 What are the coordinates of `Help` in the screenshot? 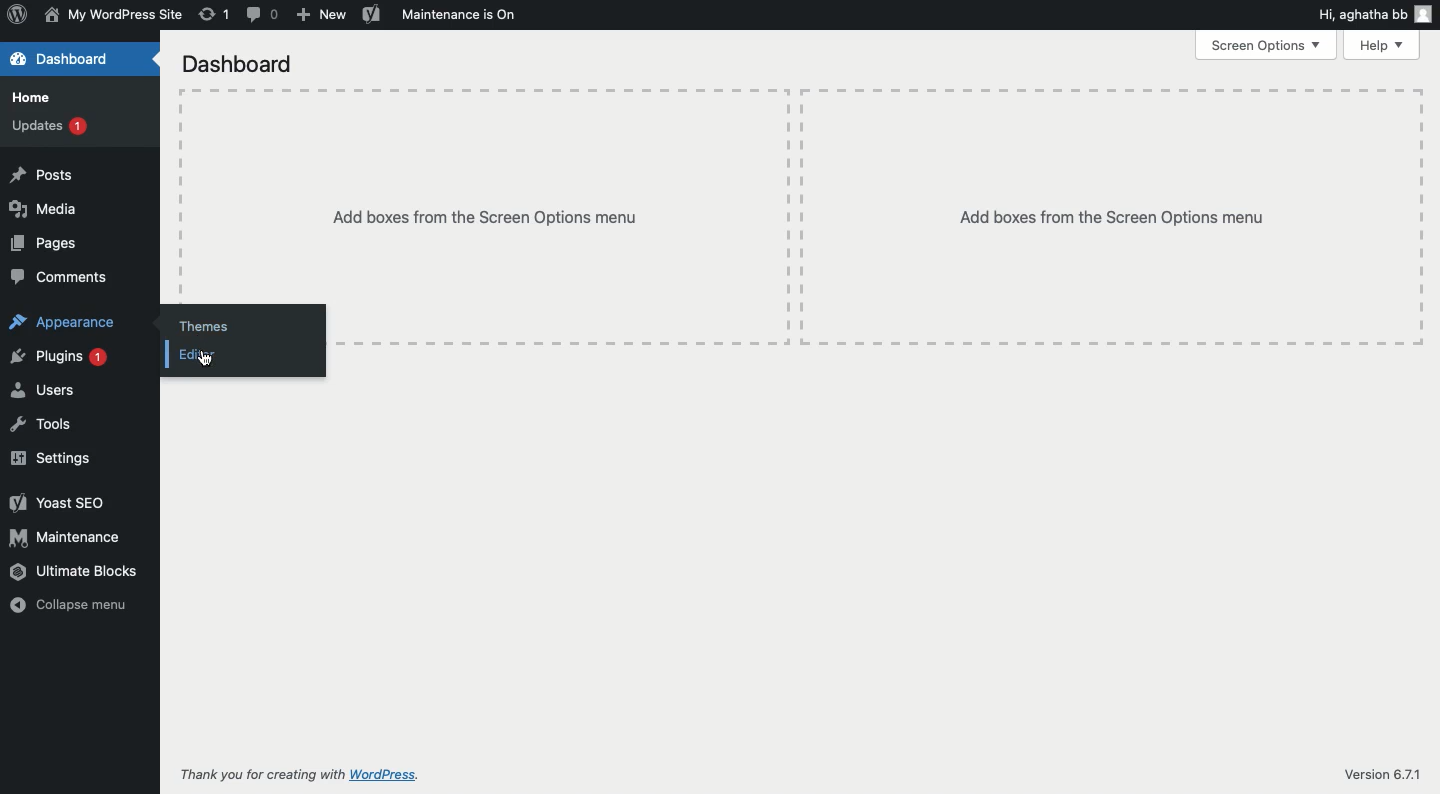 It's located at (1384, 46).